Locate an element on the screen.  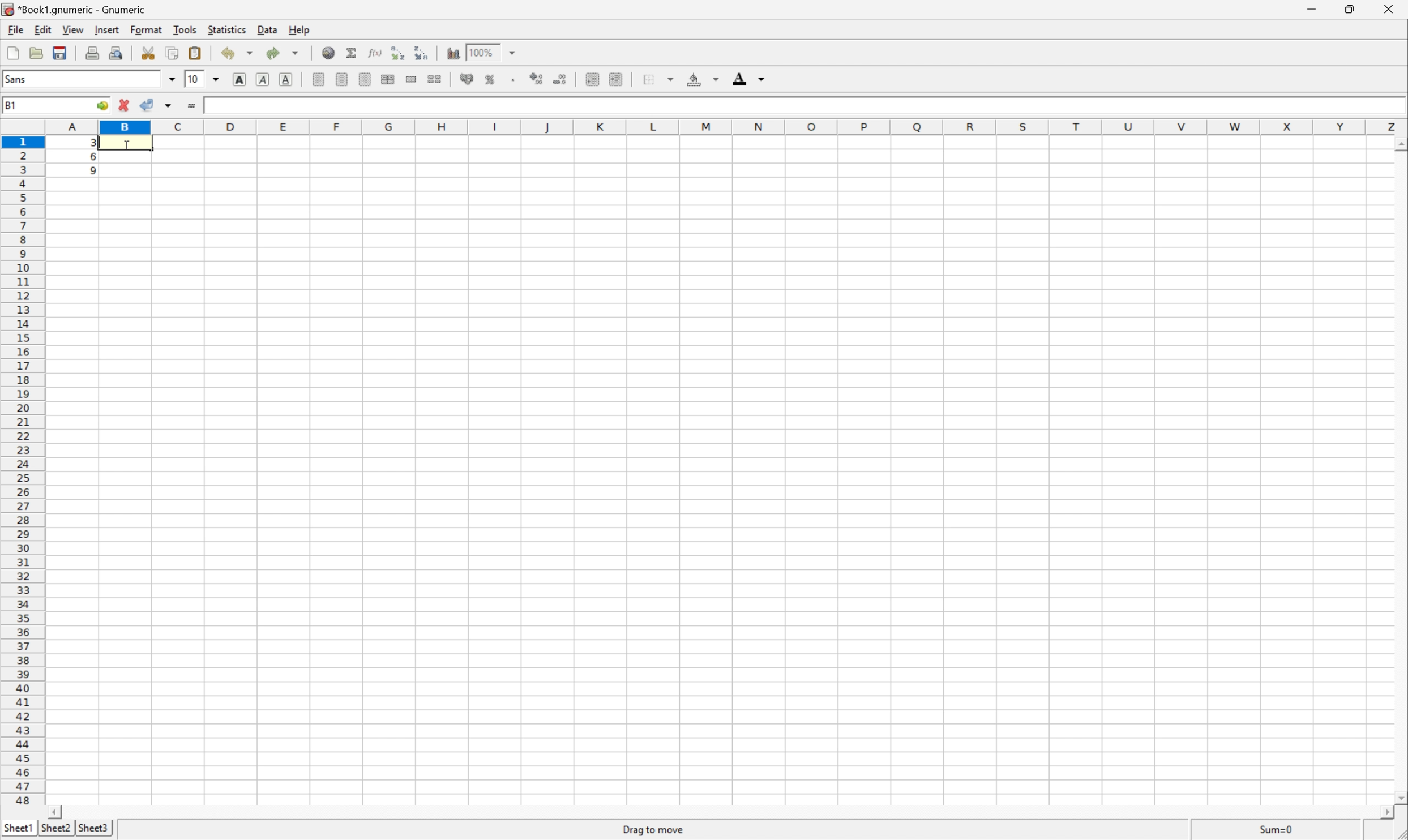
Set the format of the selected cells to include a thousands separator is located at coordinates (513, 80).